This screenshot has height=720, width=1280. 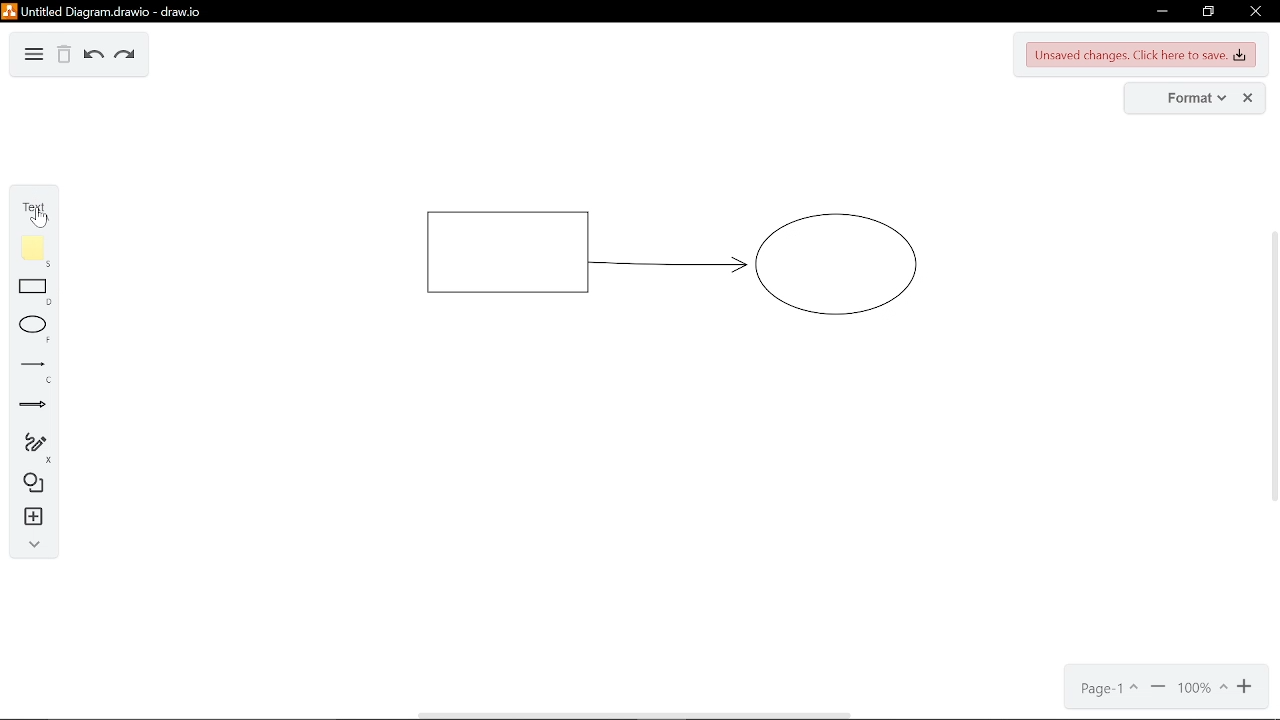 I want to click on note, so click(x=37, y=252).